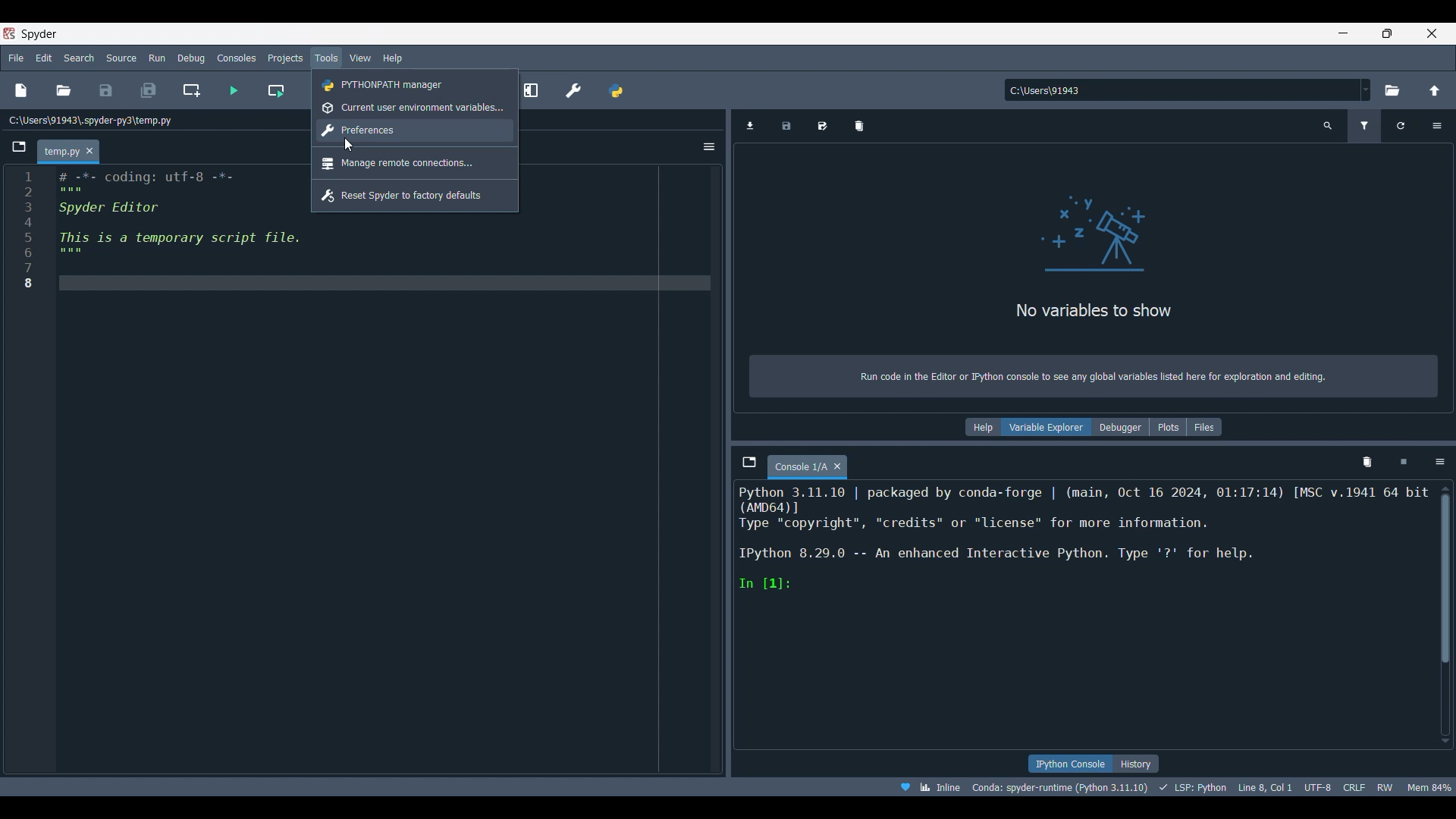 This screenshot has height=819, width=1456. What do you see at coordinates (1083, 538) in the screenshot?
I see `Description of current code` at bounding box center [1083, 538].